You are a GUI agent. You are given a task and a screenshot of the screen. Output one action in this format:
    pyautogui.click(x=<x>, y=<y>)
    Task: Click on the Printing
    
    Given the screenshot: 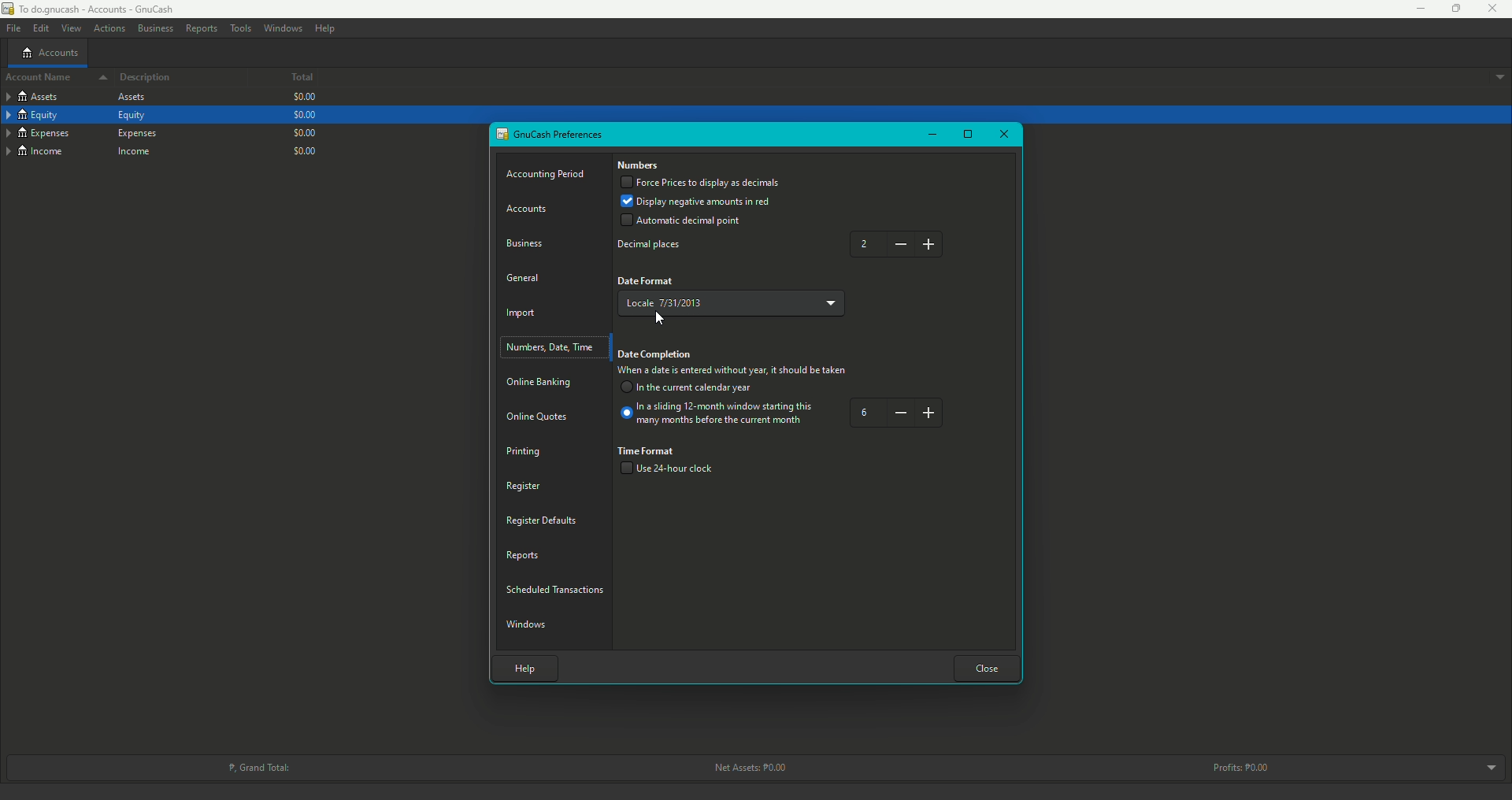 What is the action you would take?
    pyautogui.click(x=524, y=451)
    